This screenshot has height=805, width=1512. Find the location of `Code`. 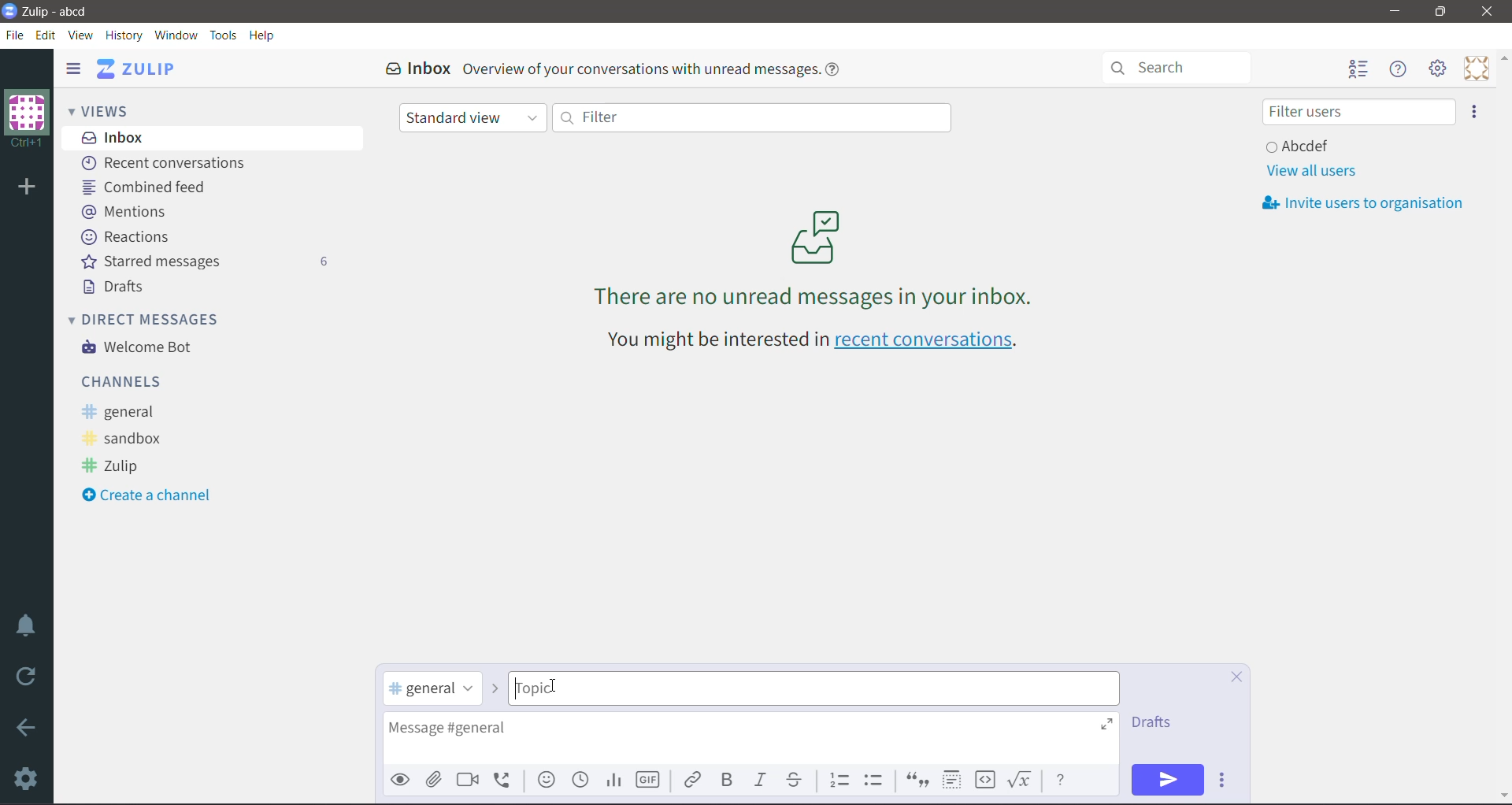

Code is located at coordinates (985, 781).